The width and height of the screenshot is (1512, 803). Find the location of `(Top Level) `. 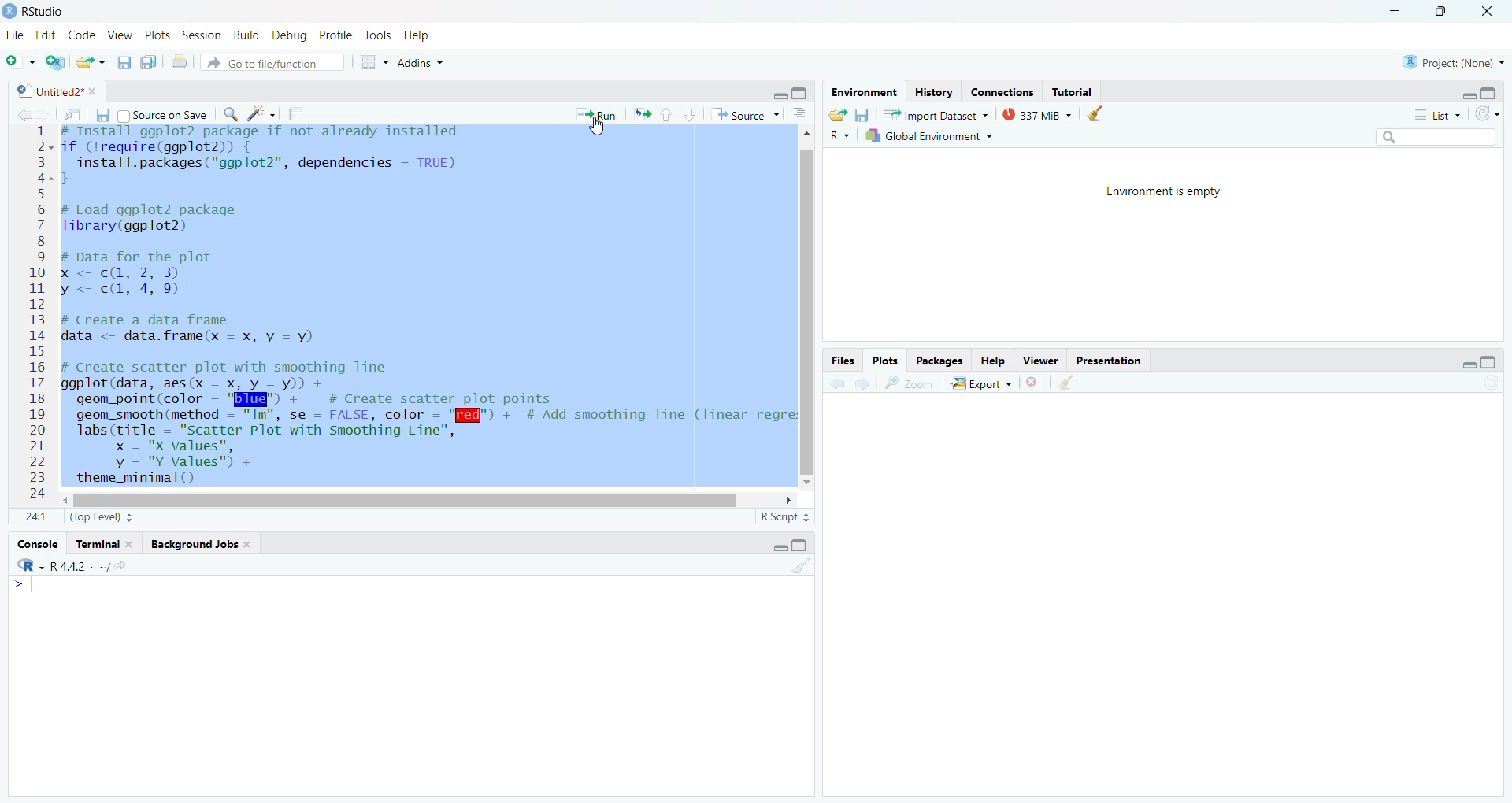

(Top Level)  is located at coordinates (98, 517).